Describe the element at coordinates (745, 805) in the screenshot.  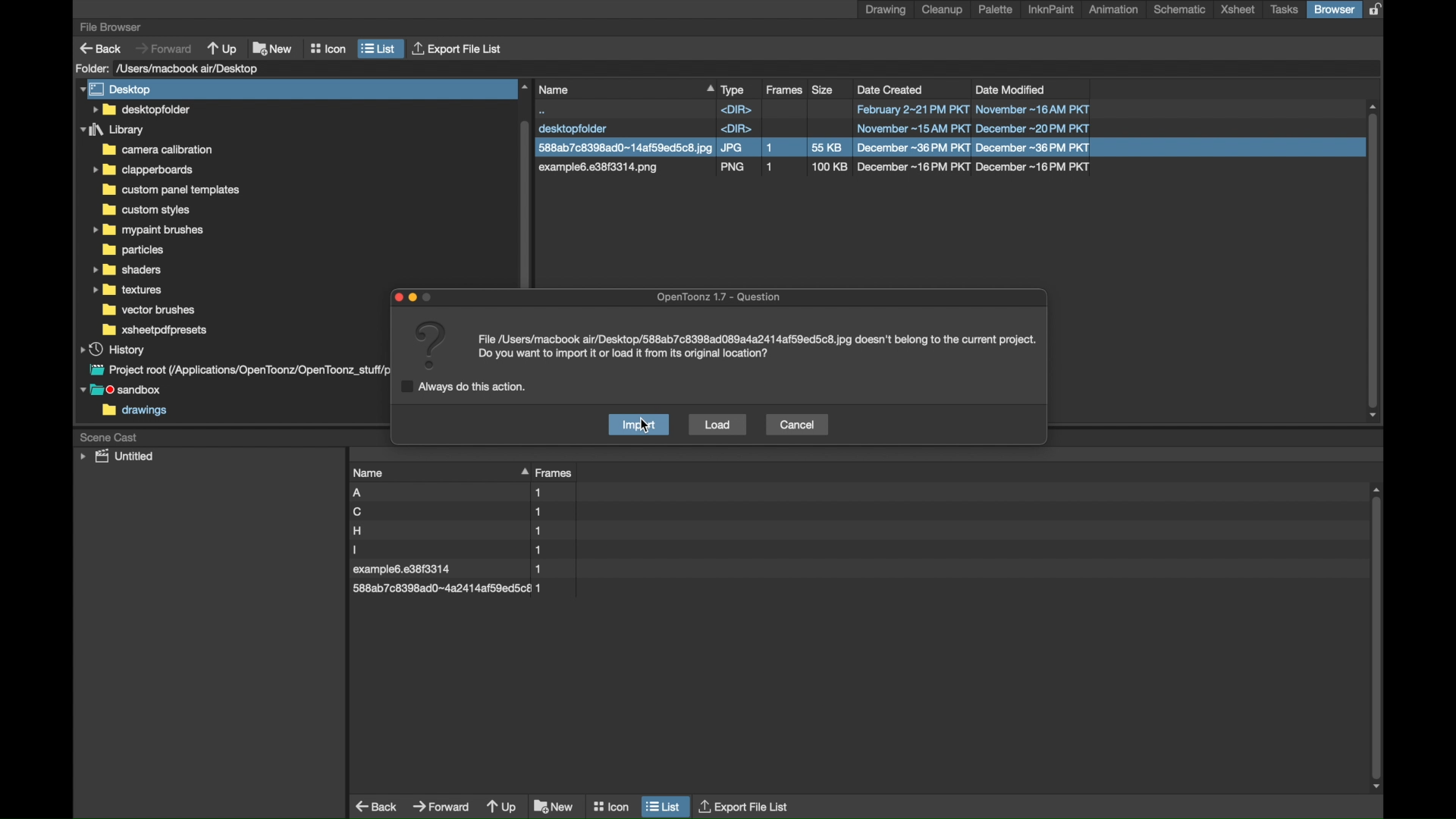
I see `export file list` at that location.